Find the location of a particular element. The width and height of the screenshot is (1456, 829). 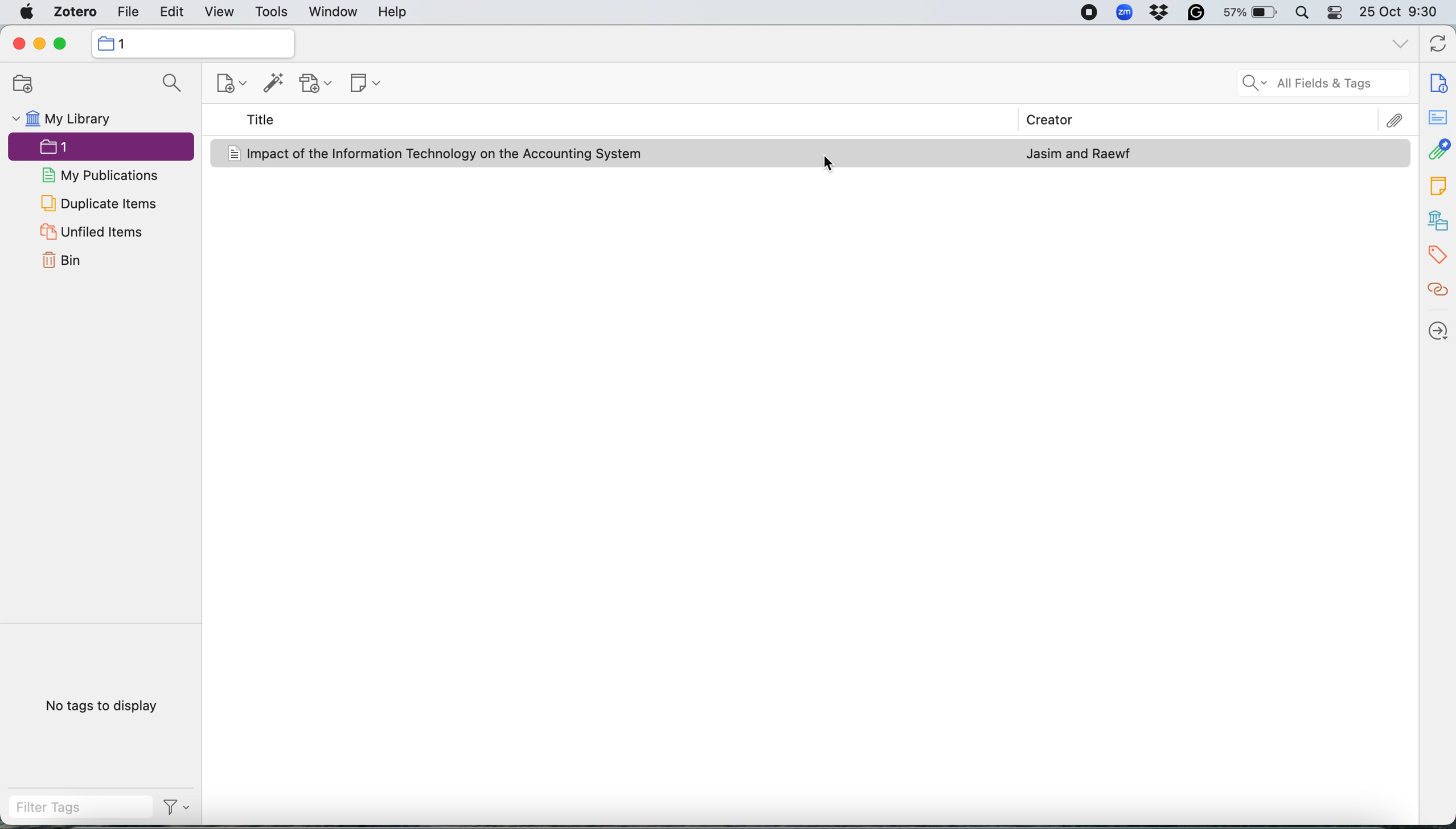

minimise is located at coordinates (39, 43).